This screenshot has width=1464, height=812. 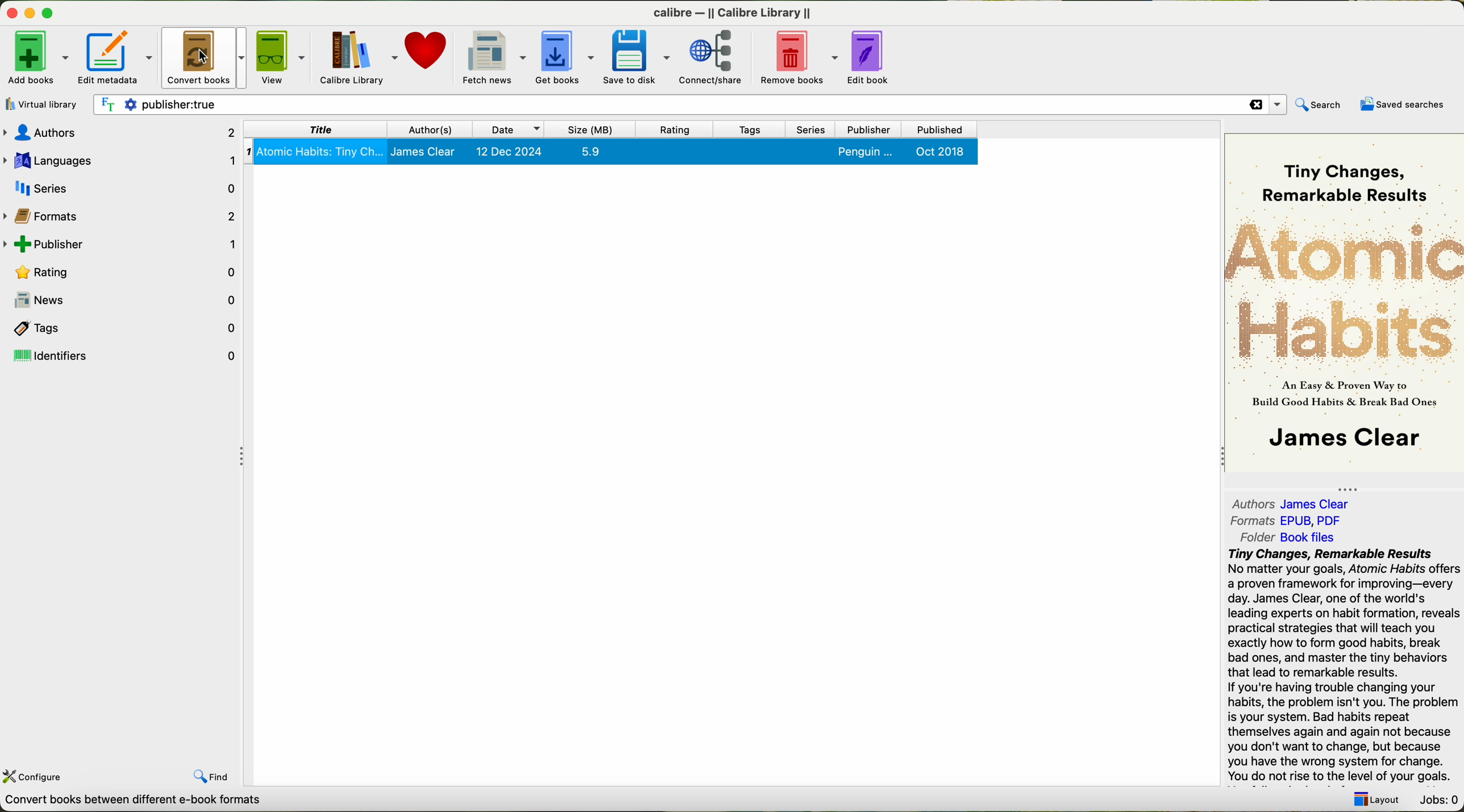 What do you see at coordinates (798, 57) in the screenshot?
I see `remove books` at bounding box center [798, 57].